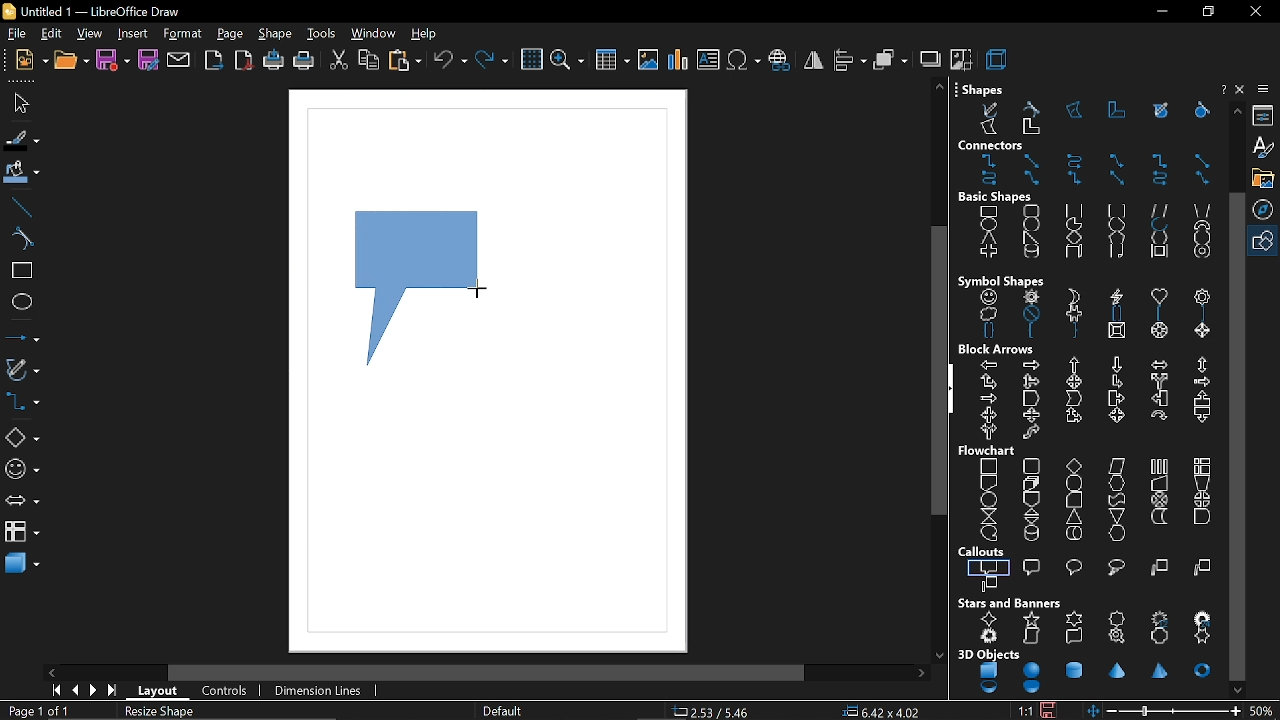 The width and height of the screenshot is (1280, 720). I want to click on insert image, so click(647, 62).